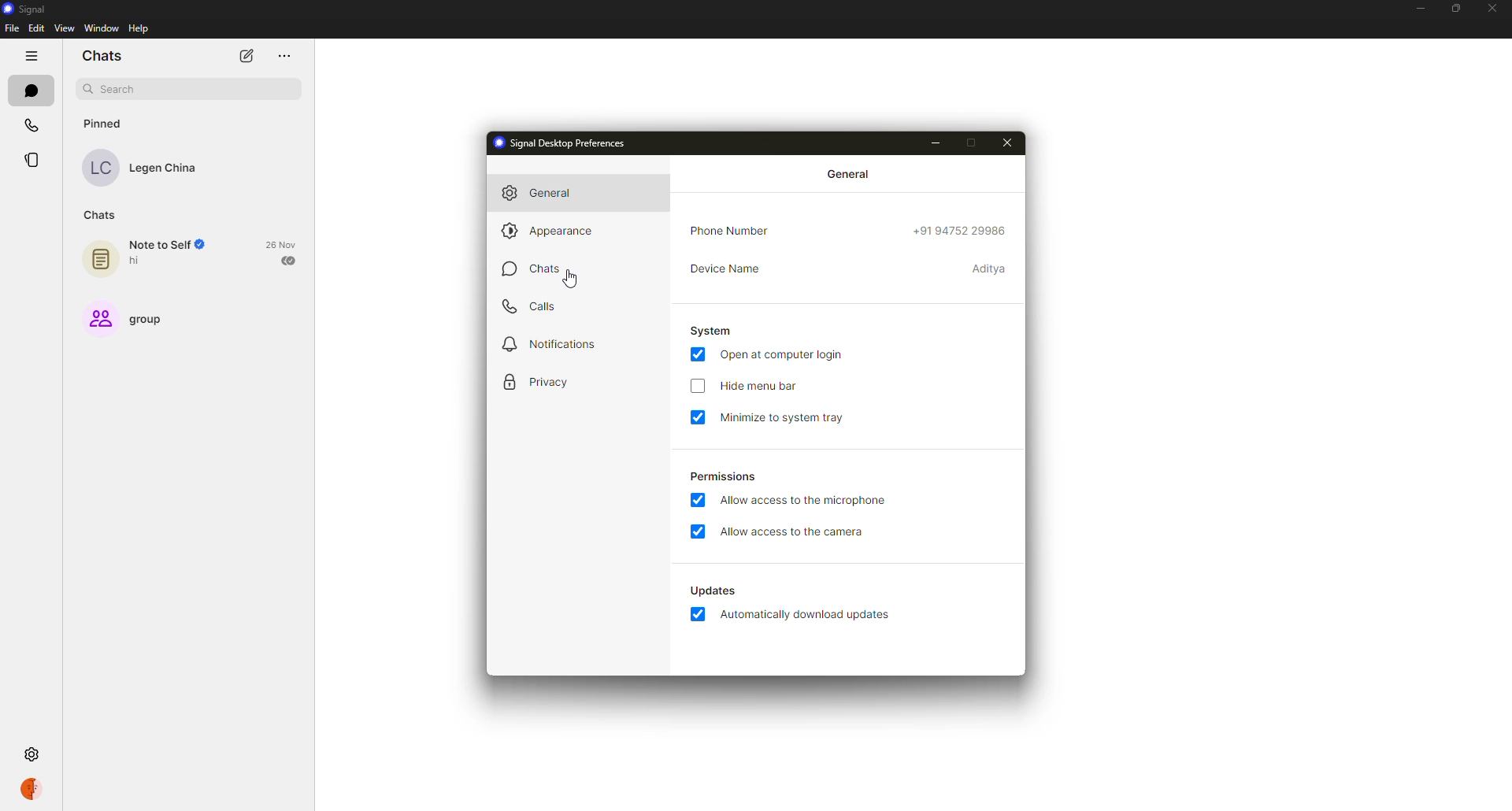 The height and width of the screenshot is (811, 1512). What do you see at coordinates (698, 614) in the screenshot?
I see `enabled` at bounding box center [698, 614].